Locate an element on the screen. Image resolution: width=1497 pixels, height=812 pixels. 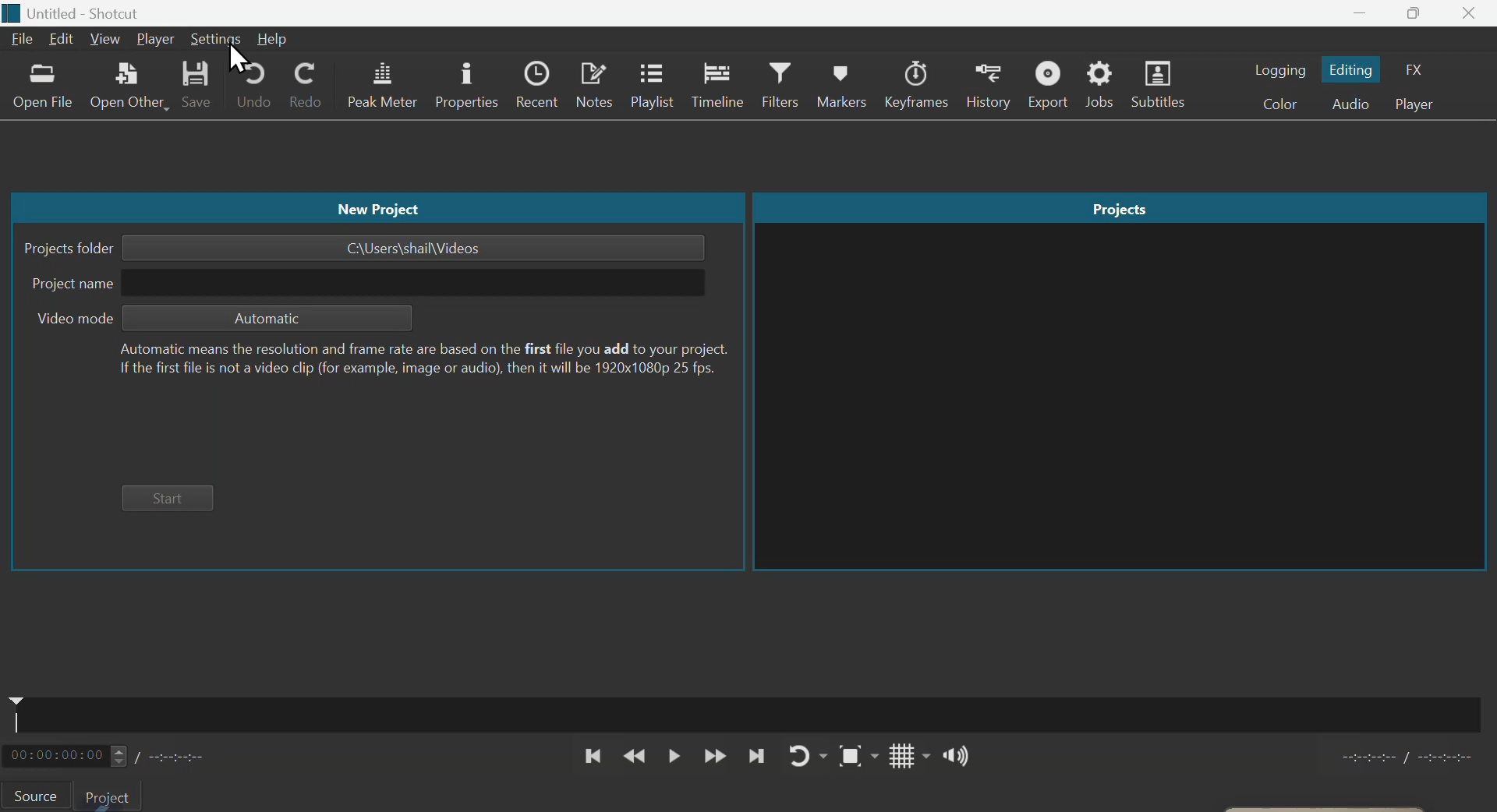
Untitled-Shortcut is located at coordinates (101, 12).